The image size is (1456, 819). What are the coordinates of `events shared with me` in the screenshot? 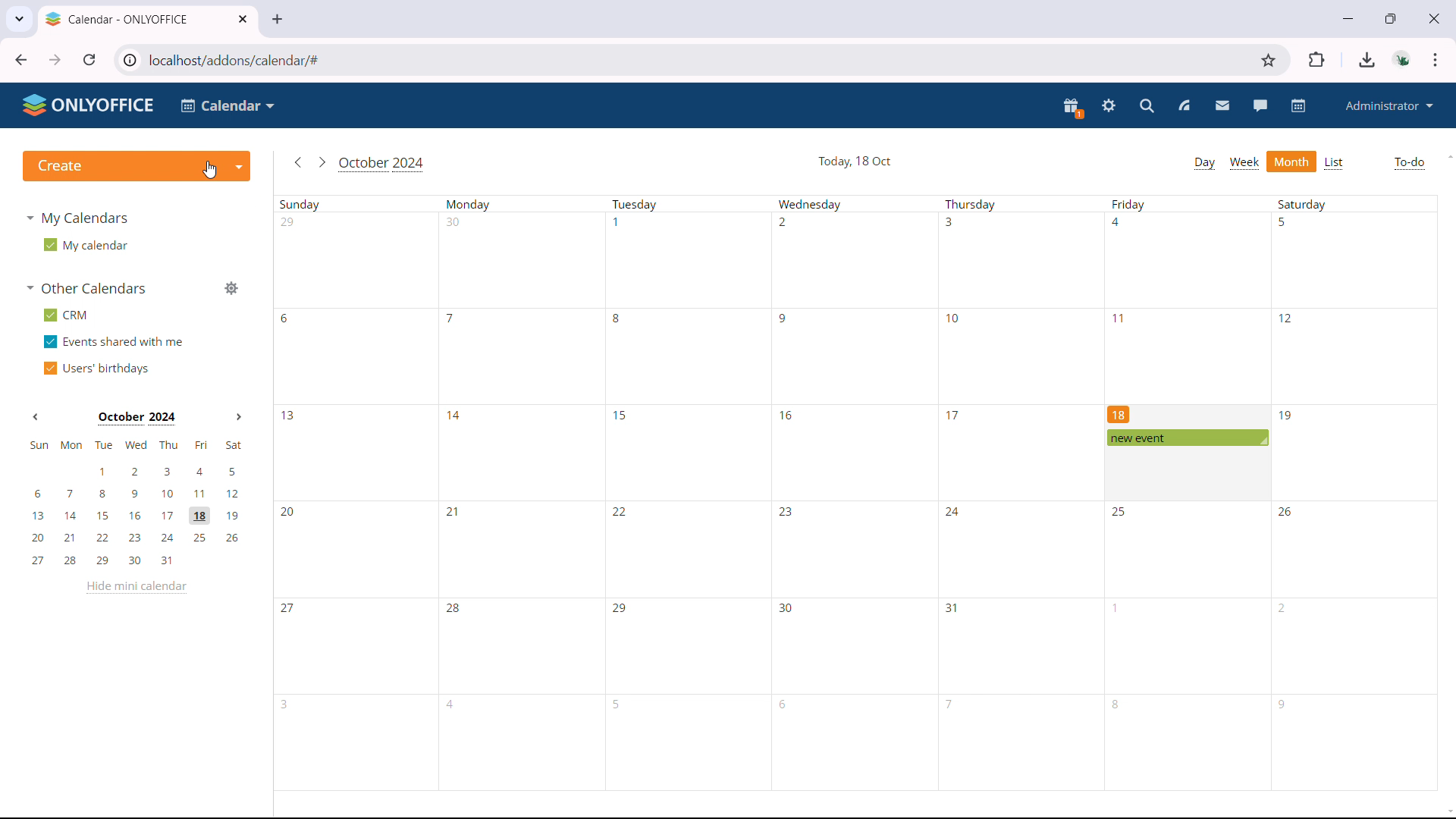 It's located at (115, 341).